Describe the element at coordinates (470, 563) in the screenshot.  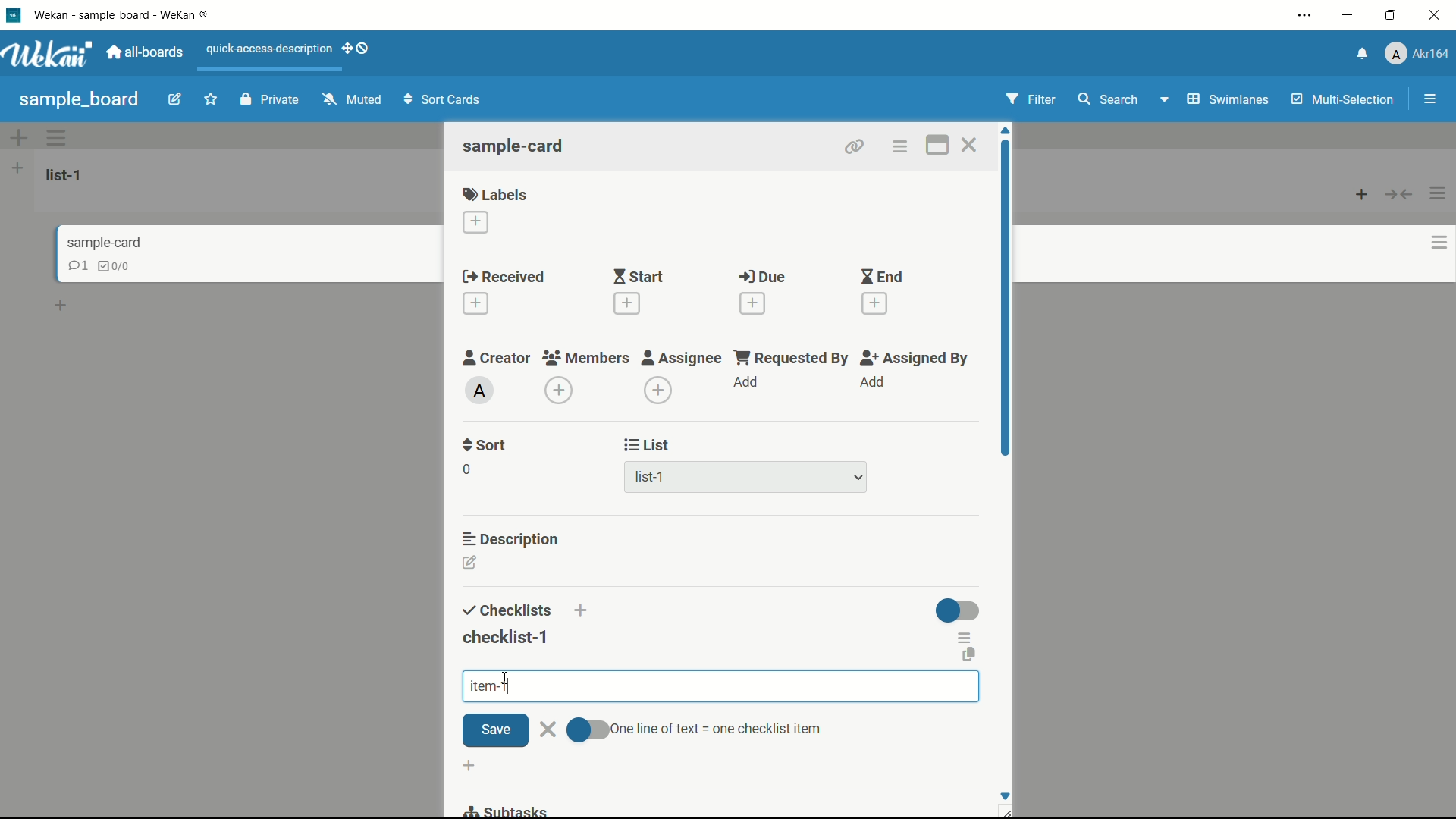
I see `edit description` at that location.